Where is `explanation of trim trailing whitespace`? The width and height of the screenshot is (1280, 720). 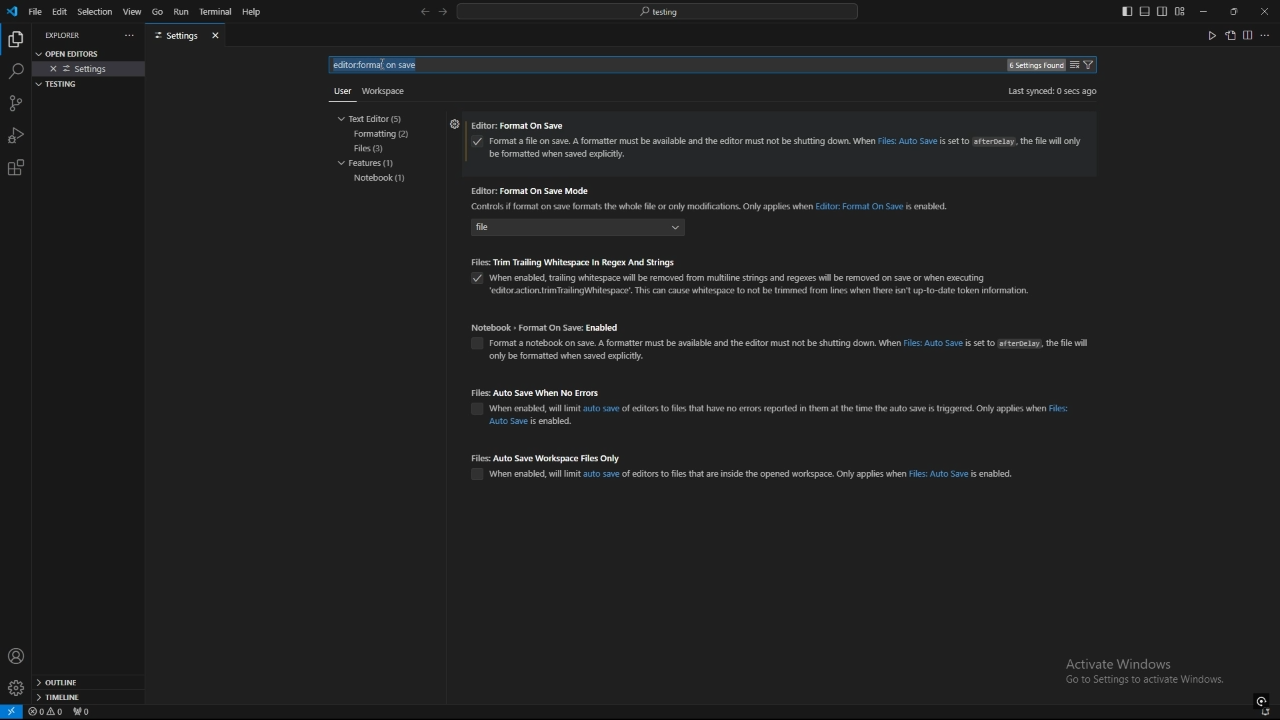 explanation of trim trailing whitespace is located at coordinates (766, 283).